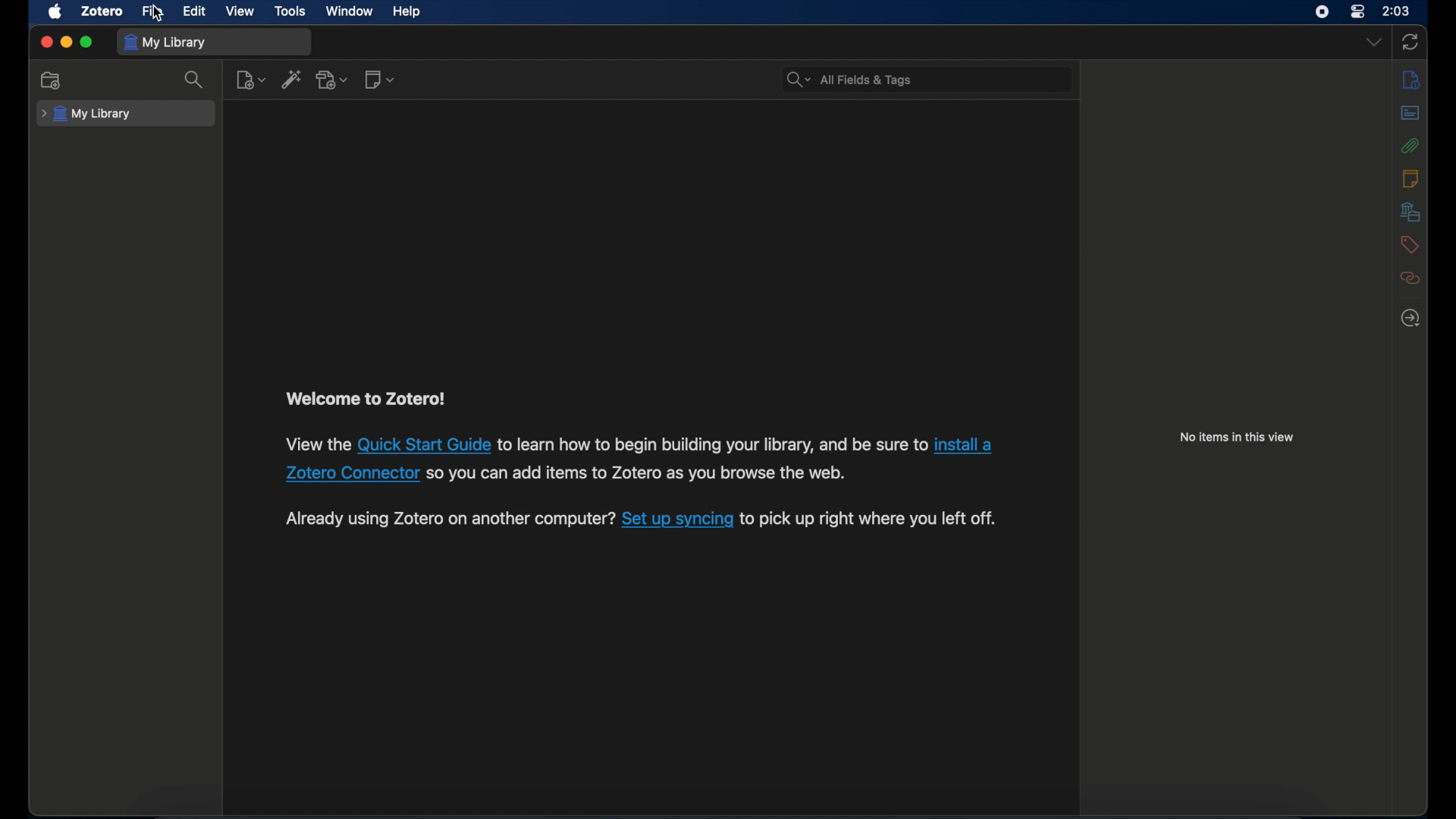 This screenshot has height=819, width=1456. Describe the element at coordinates (639, 472) in the screenshot. I see `text` at that location.